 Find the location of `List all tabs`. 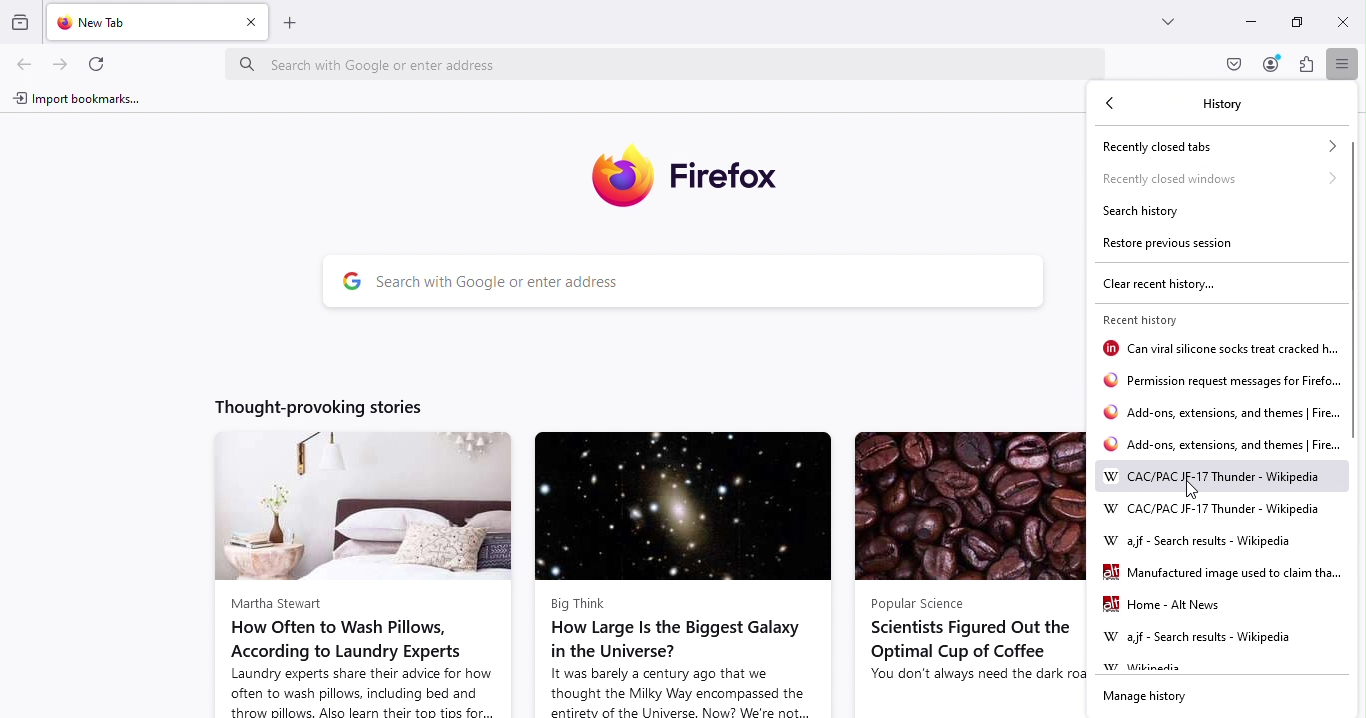

List all tabs is located at coordinates (1170, 24).